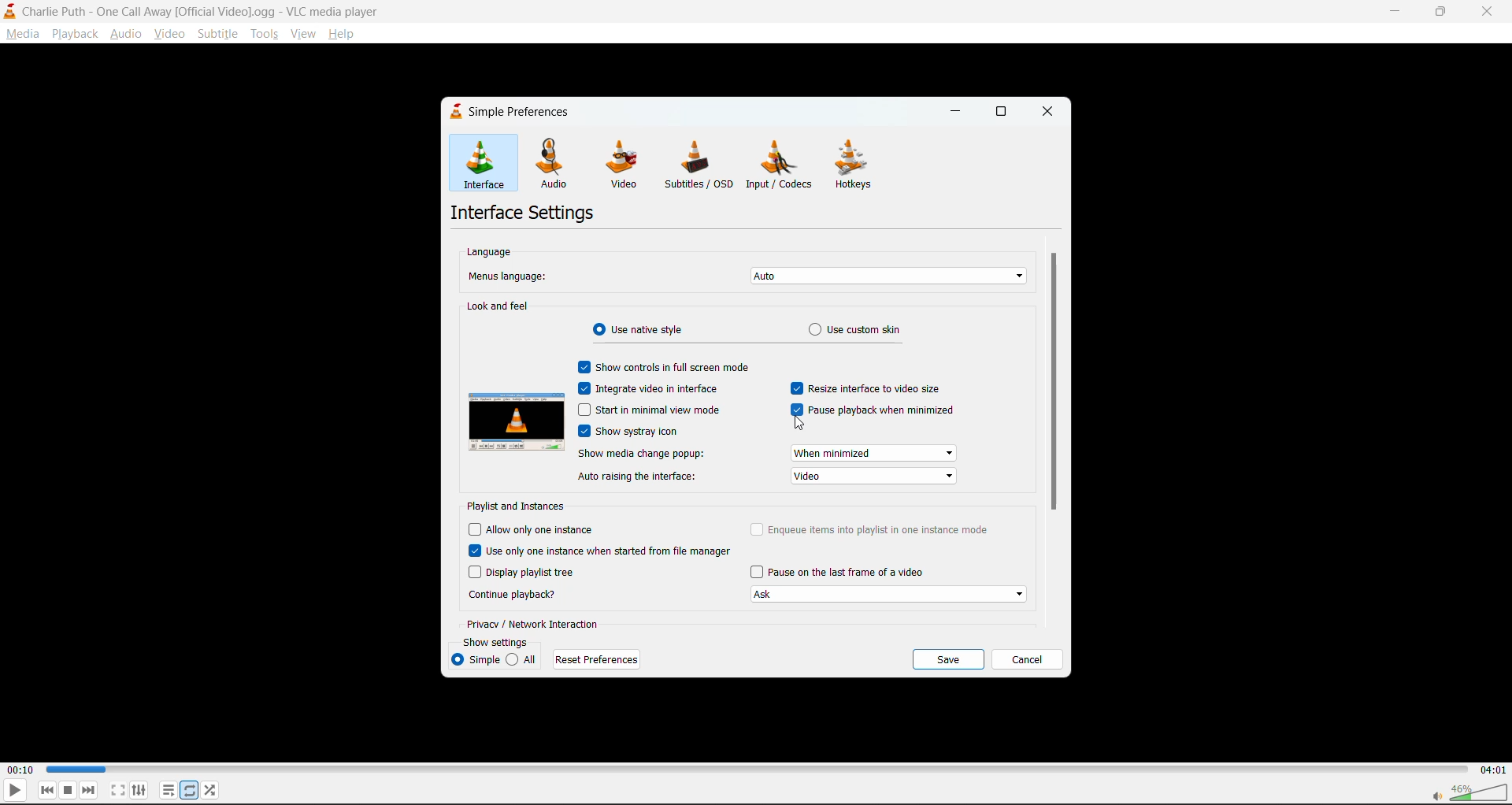 The width and height of the screenshot is (1512, 805). Describe the element at coordinates (517, 421) in the screenshot. I see `preview` at that location.